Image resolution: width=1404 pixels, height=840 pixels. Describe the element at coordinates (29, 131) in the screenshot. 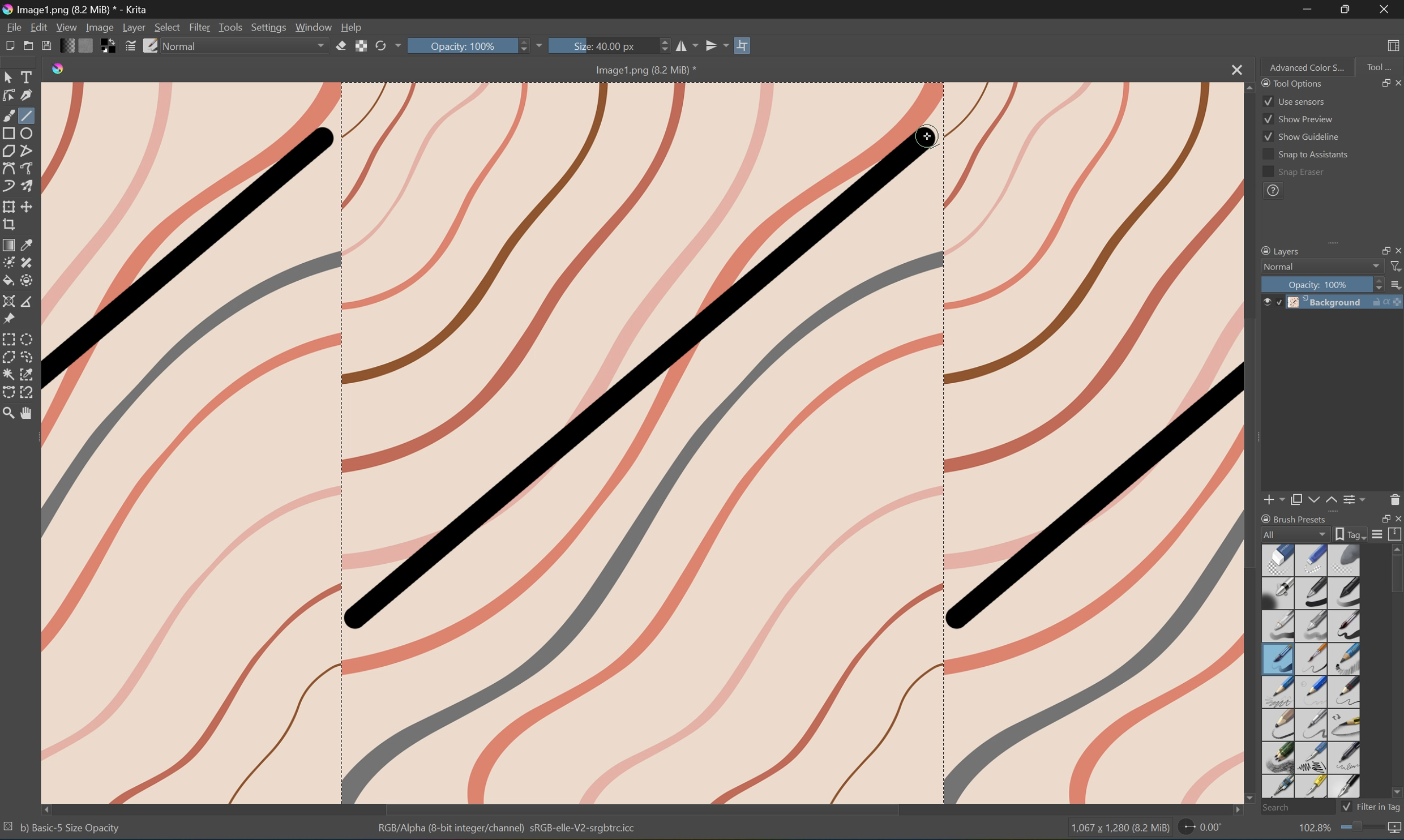

I see `Ellipse tool` at that location.